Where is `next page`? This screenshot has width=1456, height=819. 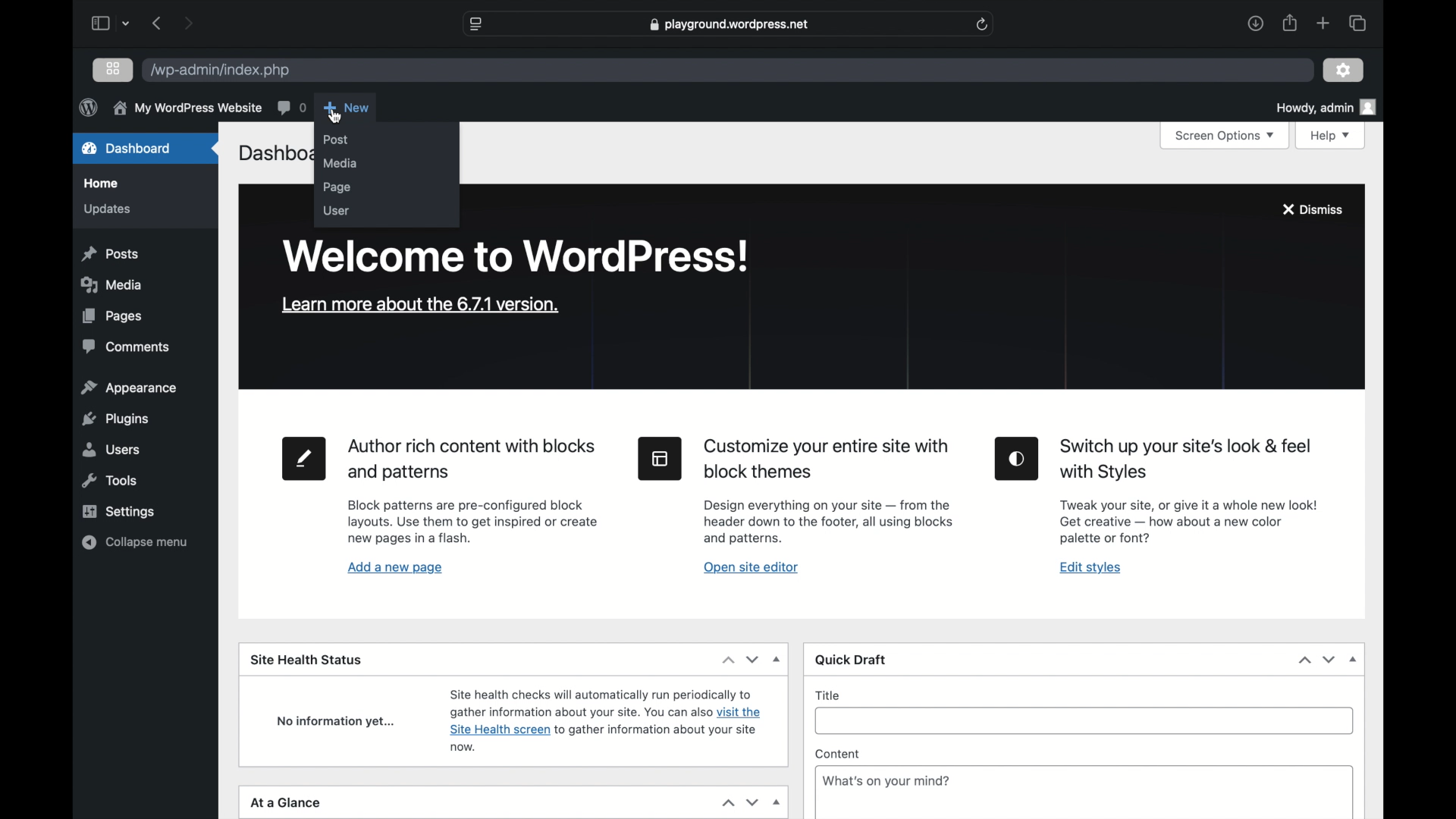 next page is located at coordinates (188, 22).